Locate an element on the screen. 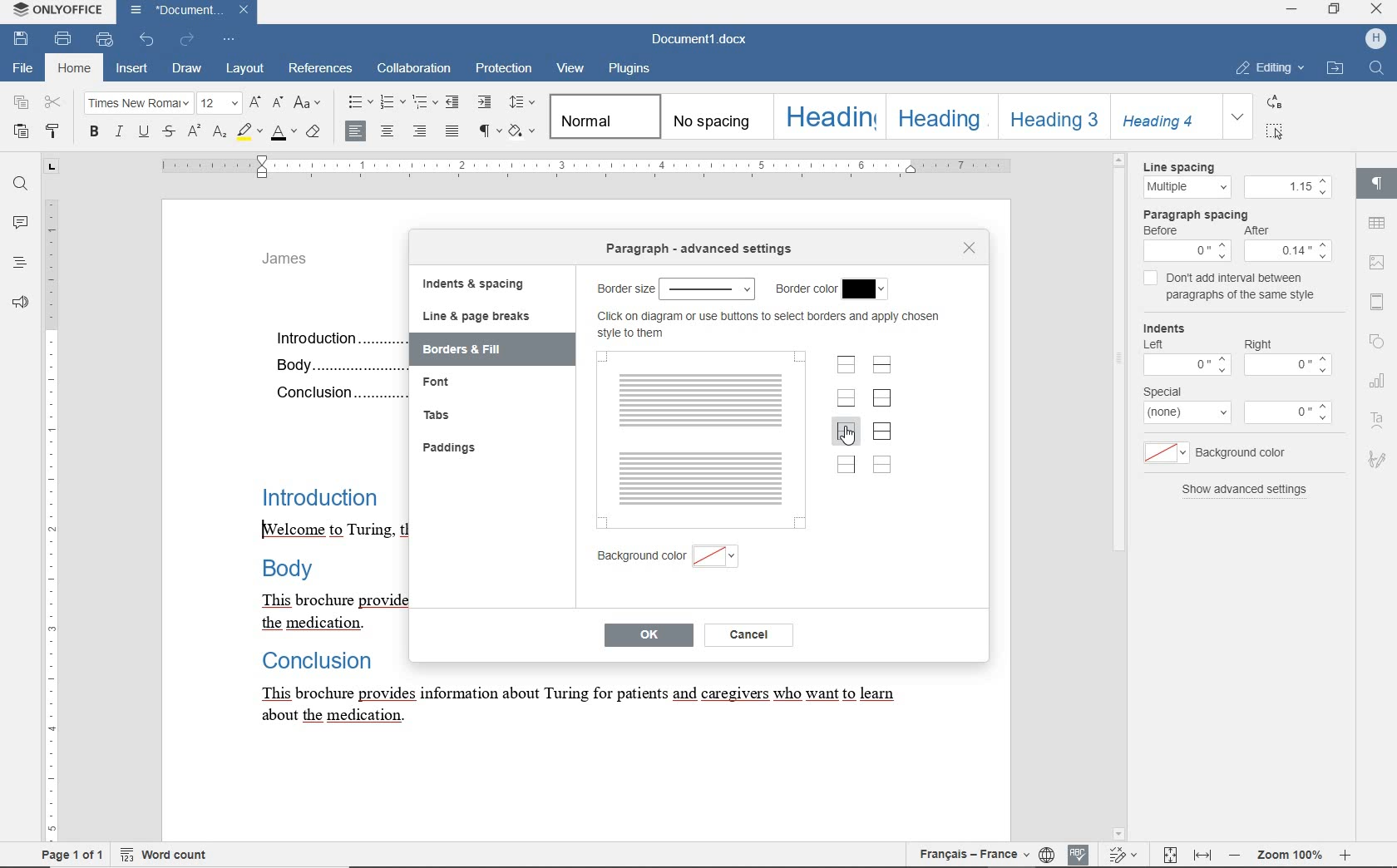  border options is located at coordinates (709, 289).